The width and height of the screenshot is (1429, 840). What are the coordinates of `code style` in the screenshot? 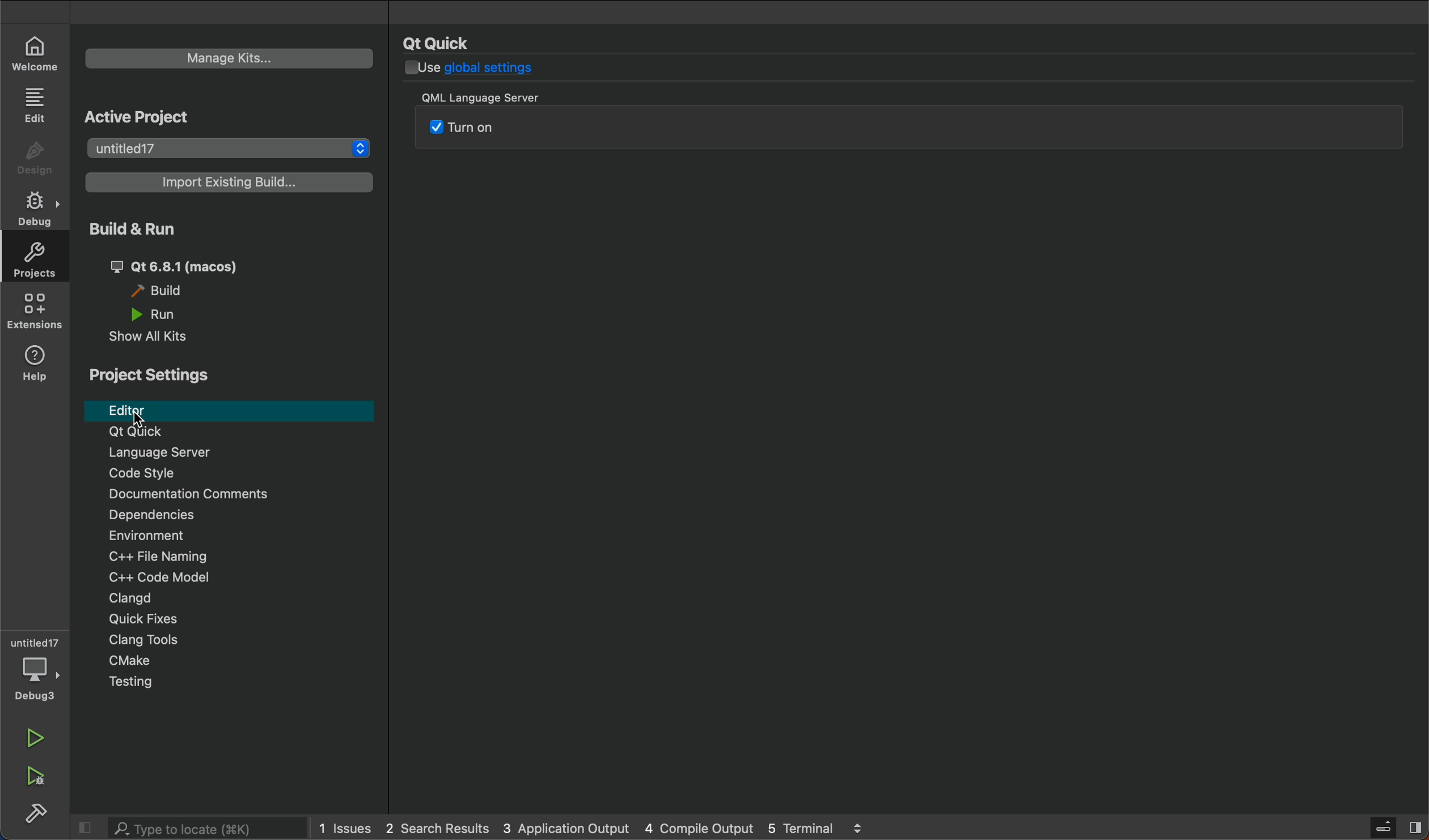 It's located at (223, 475).